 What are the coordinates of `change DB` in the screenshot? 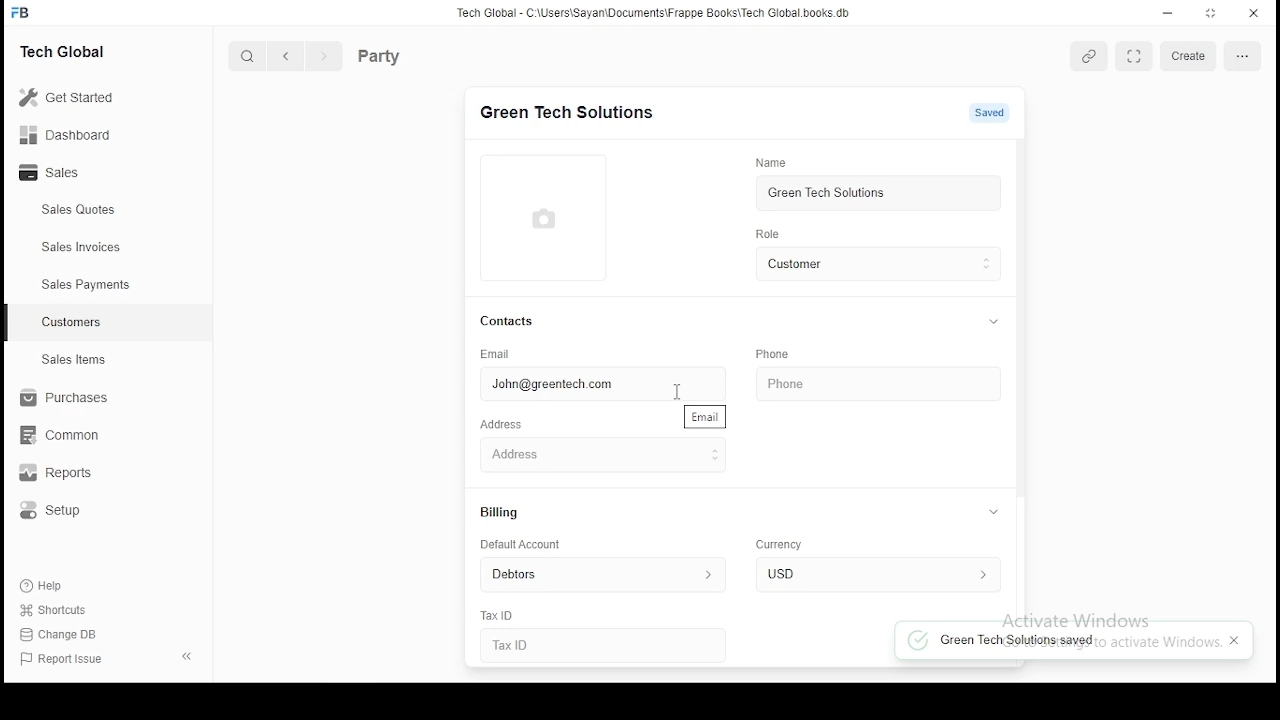 It's located at (61, 633).